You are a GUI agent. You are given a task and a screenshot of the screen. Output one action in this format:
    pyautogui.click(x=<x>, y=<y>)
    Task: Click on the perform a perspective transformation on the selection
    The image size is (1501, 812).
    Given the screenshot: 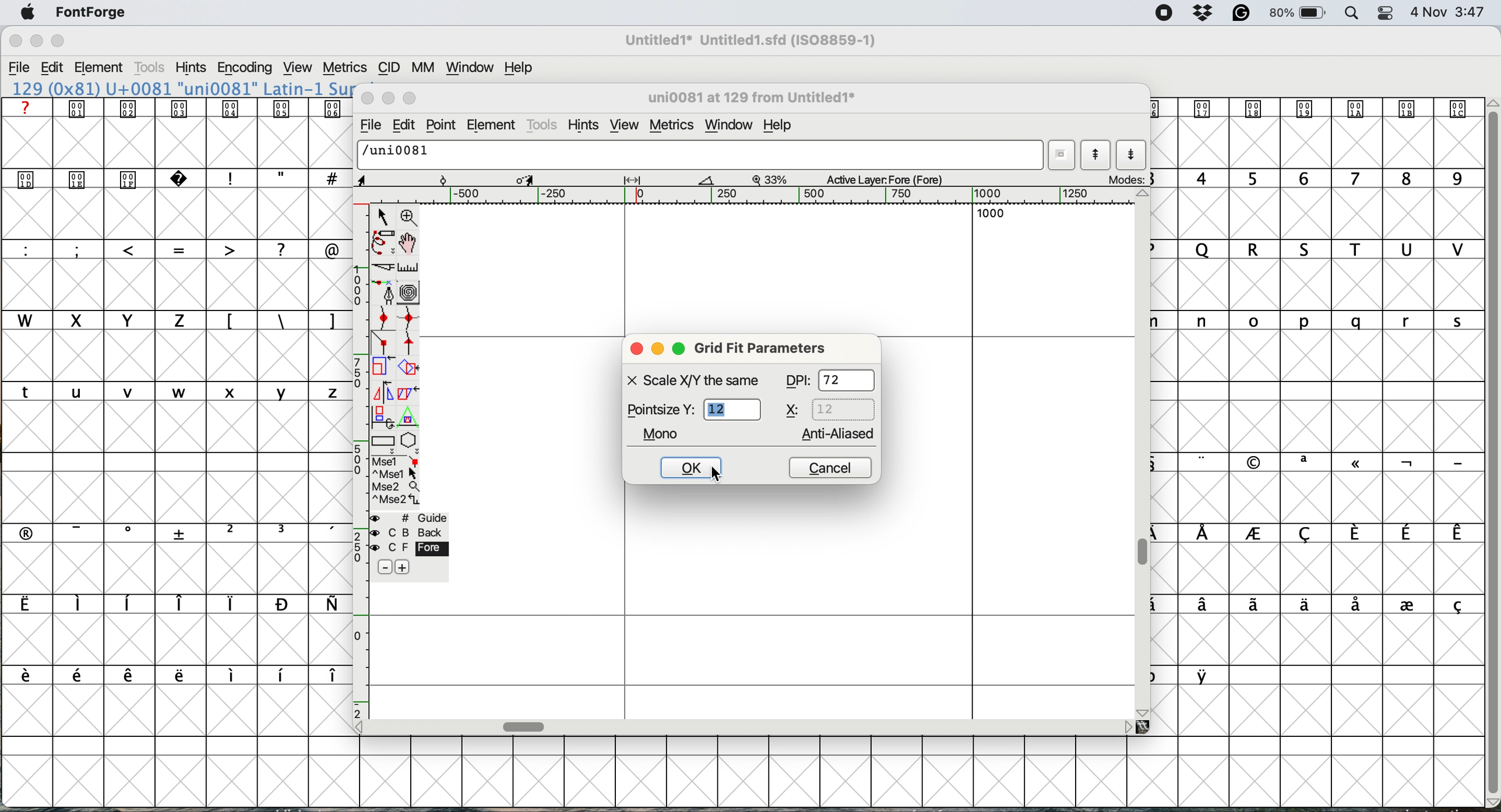 What is the action you would take?
    pyautogui.click(x=408, y=415)
    